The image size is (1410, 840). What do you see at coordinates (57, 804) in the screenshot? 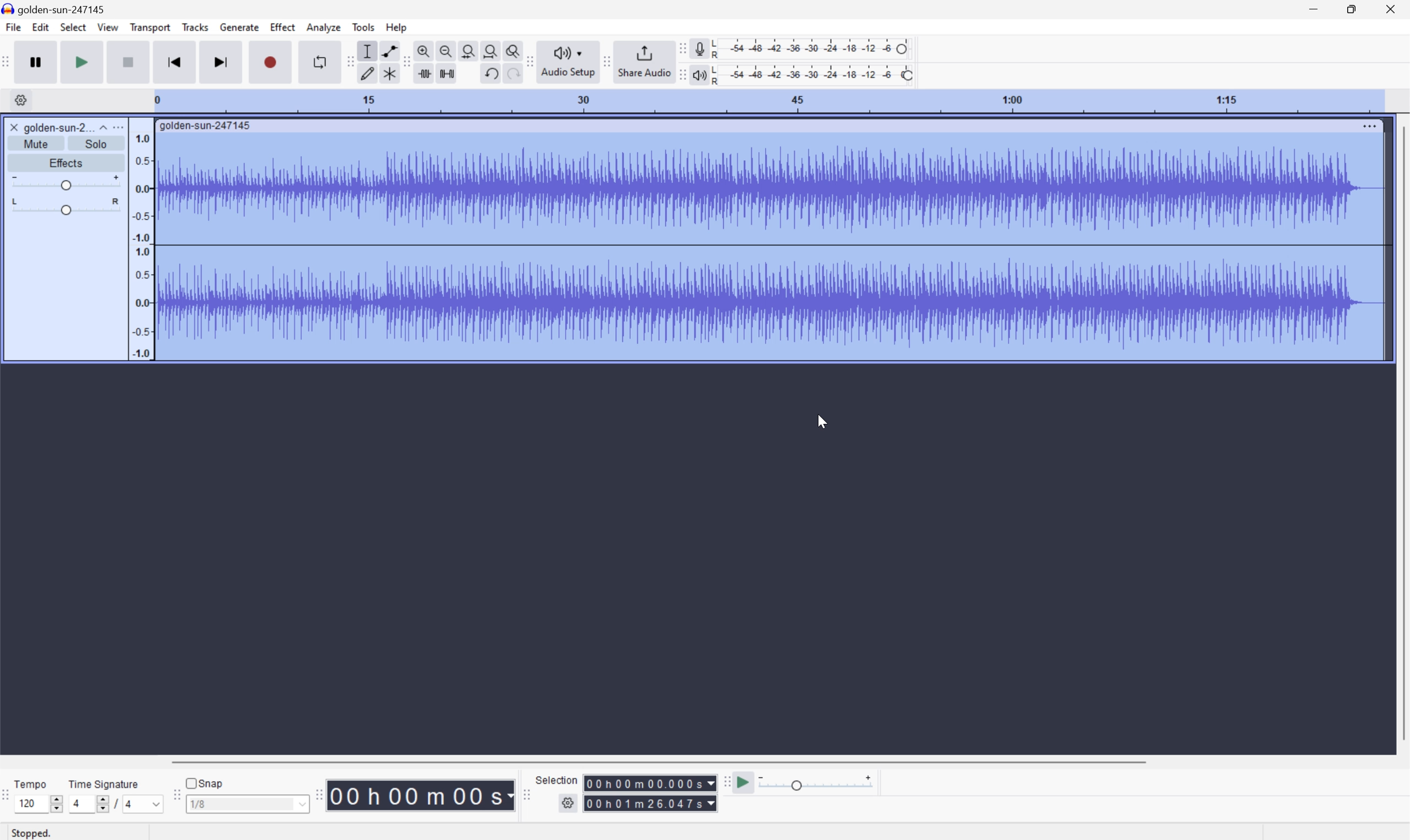
I see `Slider` at bounding box center [57, 804].